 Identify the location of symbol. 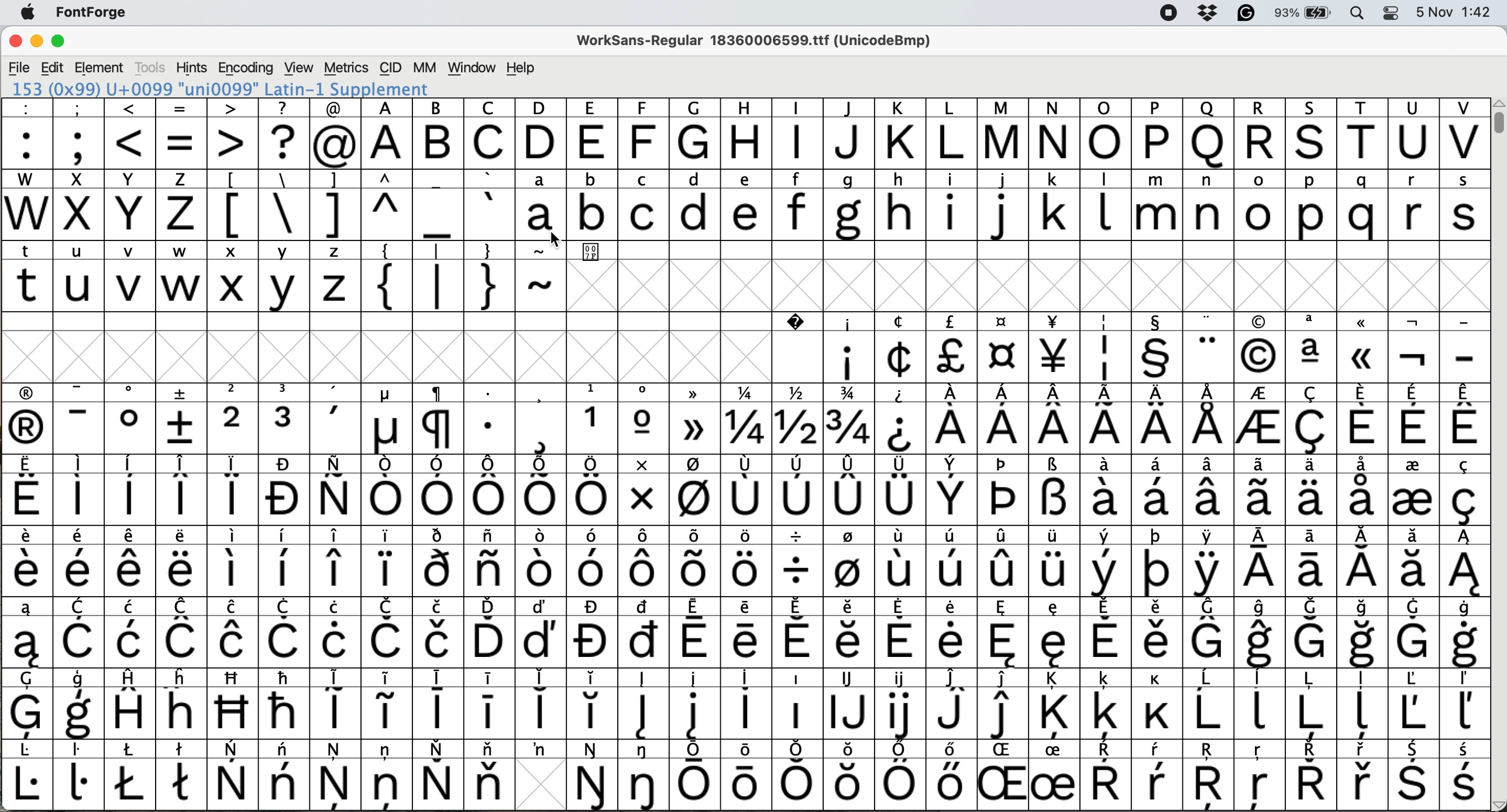
(1209, 632).